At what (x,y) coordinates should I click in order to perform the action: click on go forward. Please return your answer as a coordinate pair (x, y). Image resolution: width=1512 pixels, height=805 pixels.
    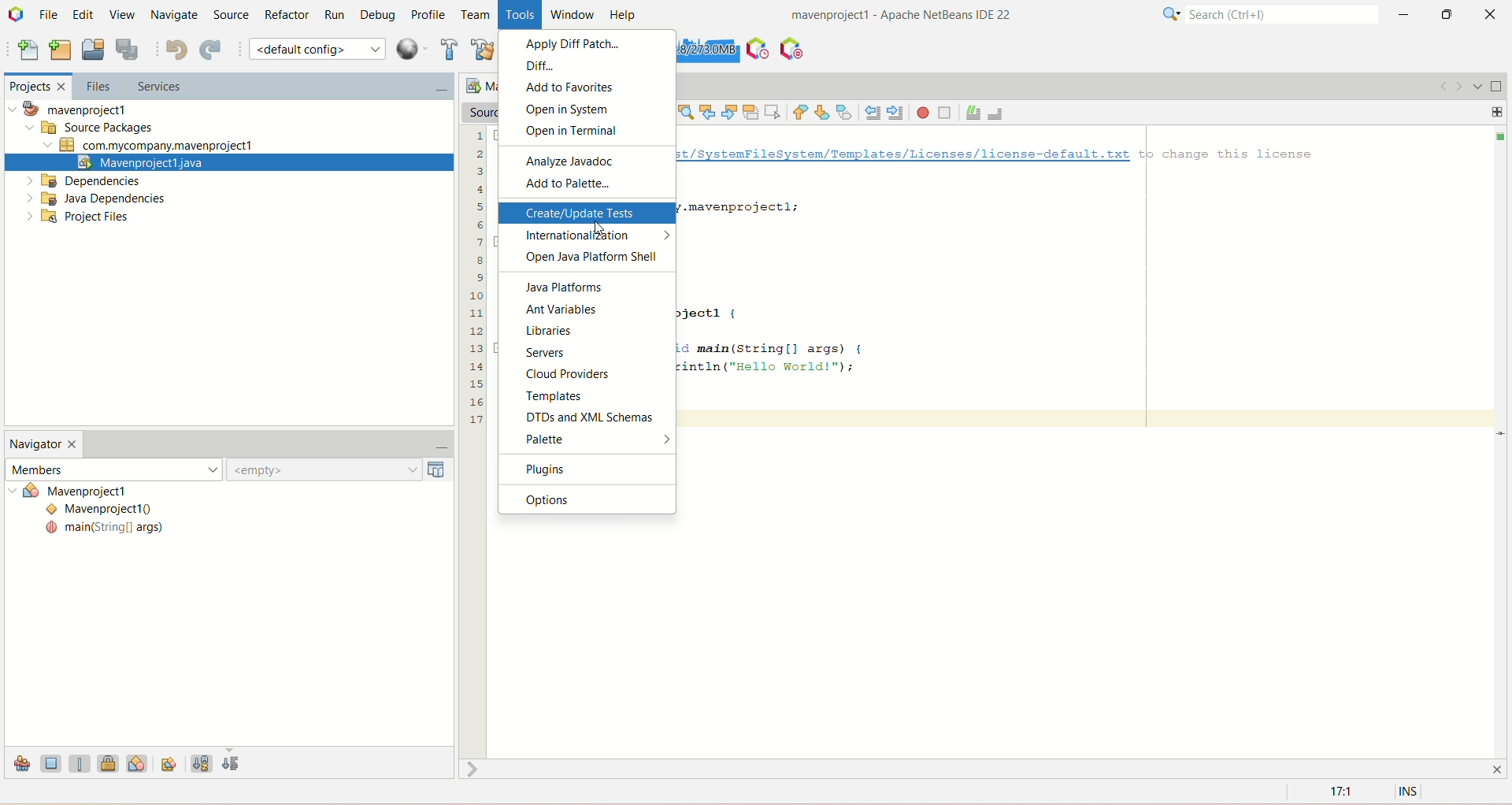
    Looking at the image, I should click on (1458, 86).